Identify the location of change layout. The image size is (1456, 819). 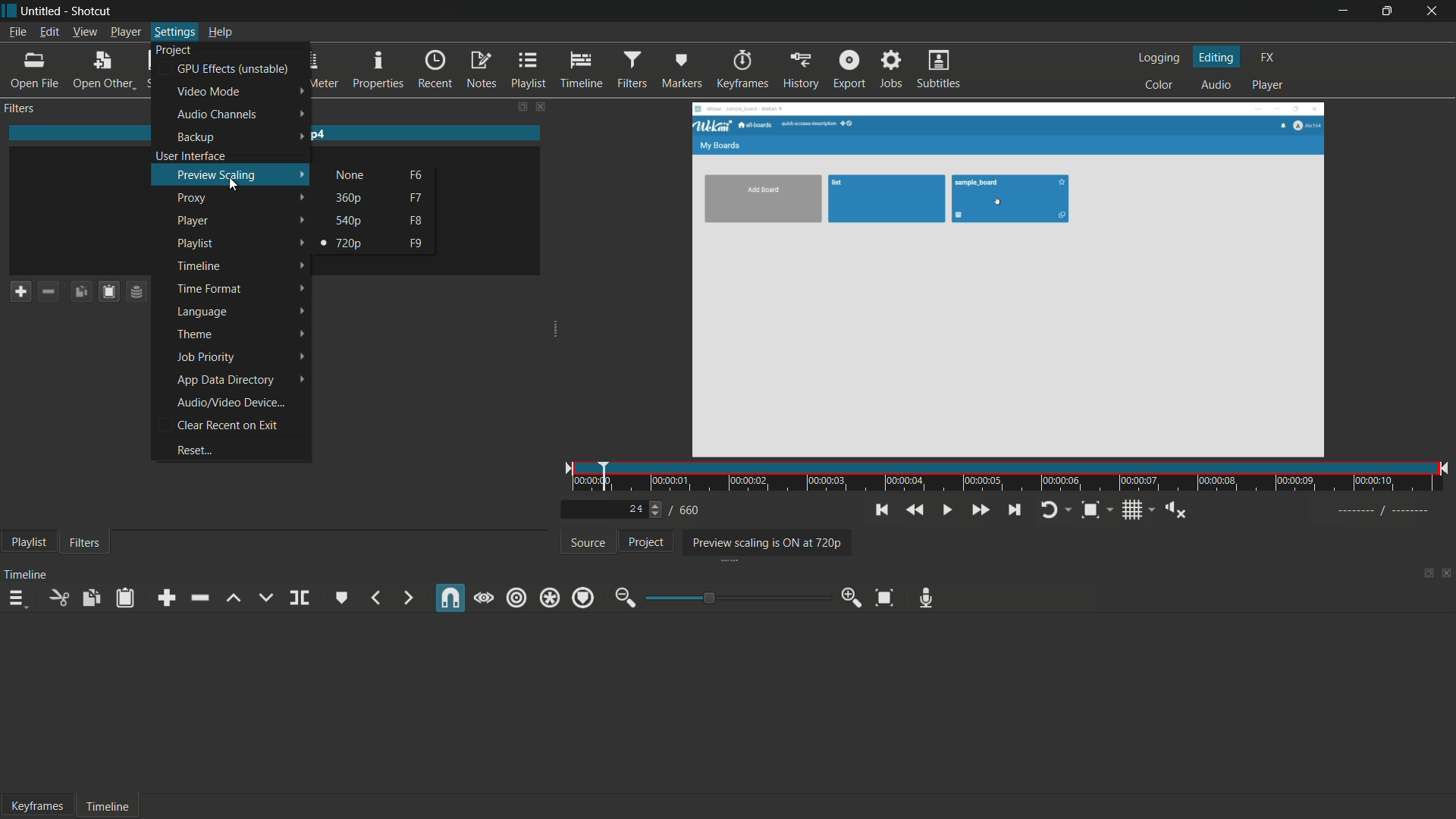
(516, 106).